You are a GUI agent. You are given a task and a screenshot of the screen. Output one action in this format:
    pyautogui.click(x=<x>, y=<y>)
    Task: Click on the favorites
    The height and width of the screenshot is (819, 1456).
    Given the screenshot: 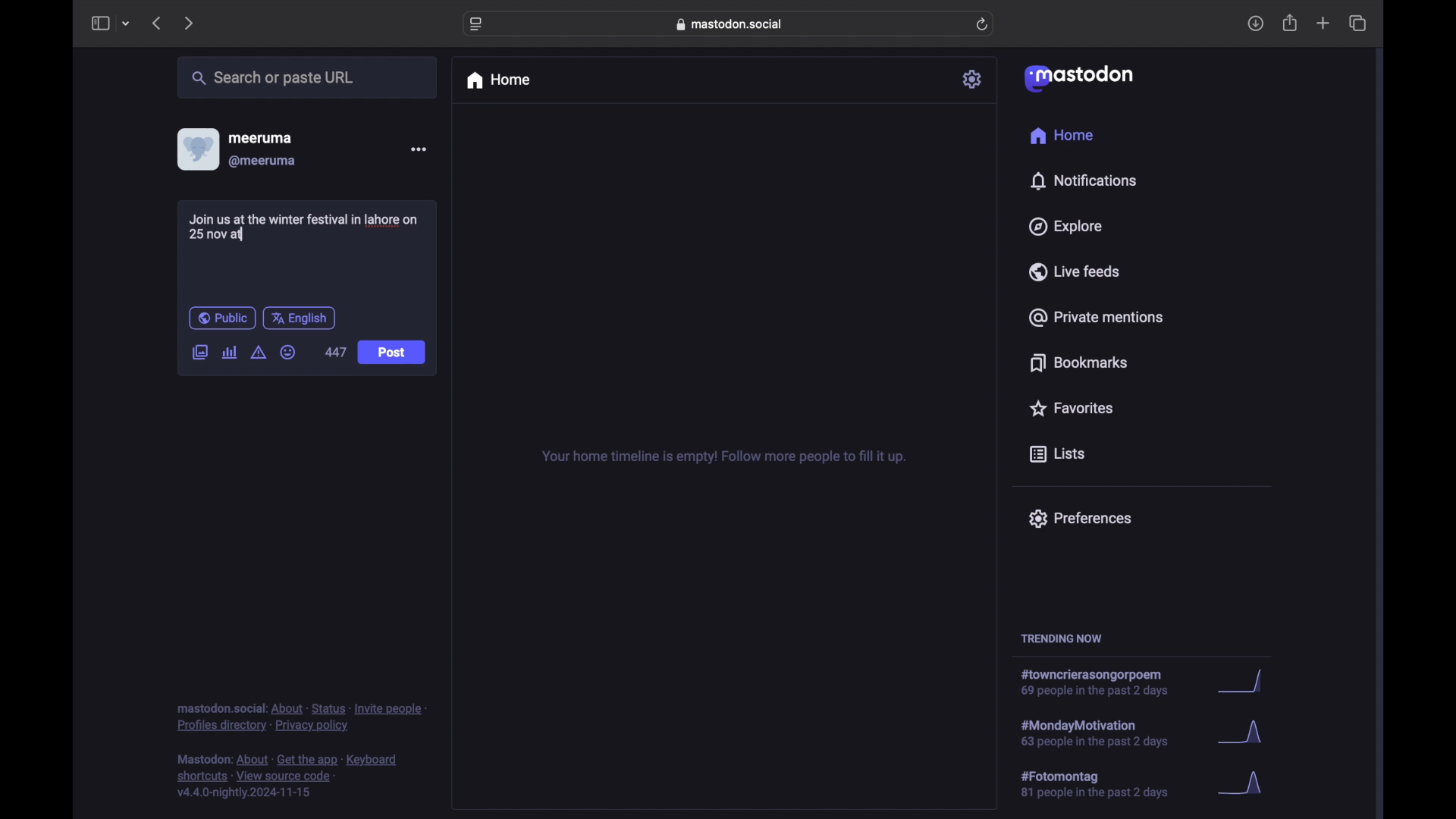 What is the action you would take?
    pyautogui.click(x=1070, y=408)
    